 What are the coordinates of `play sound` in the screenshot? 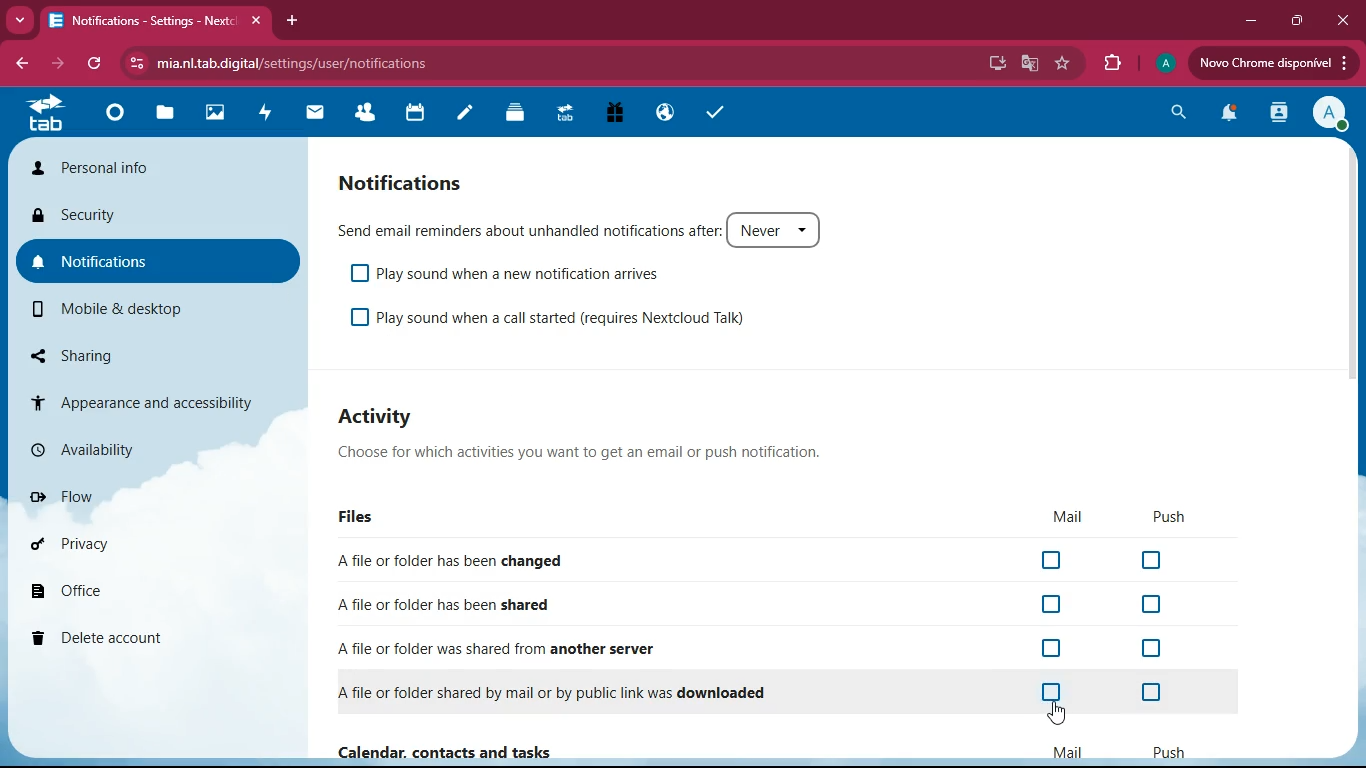 It's located at (511, 274).